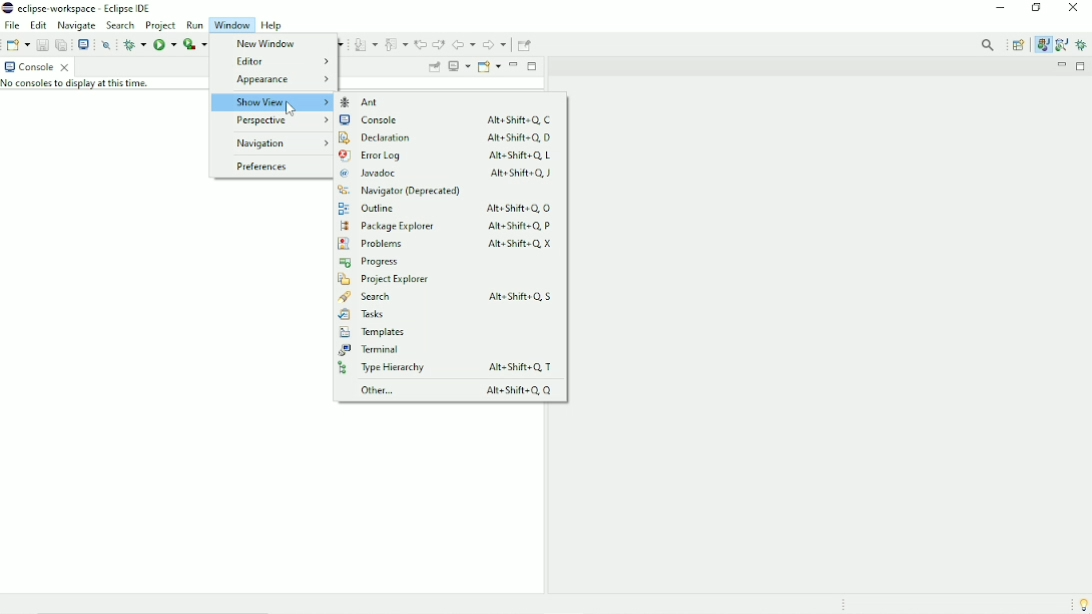 The image size is (1092, 614). What do you see at coordinates (83, 43) in the screenshot?
I see `Open a terminal` at bounding box center [83, 43].